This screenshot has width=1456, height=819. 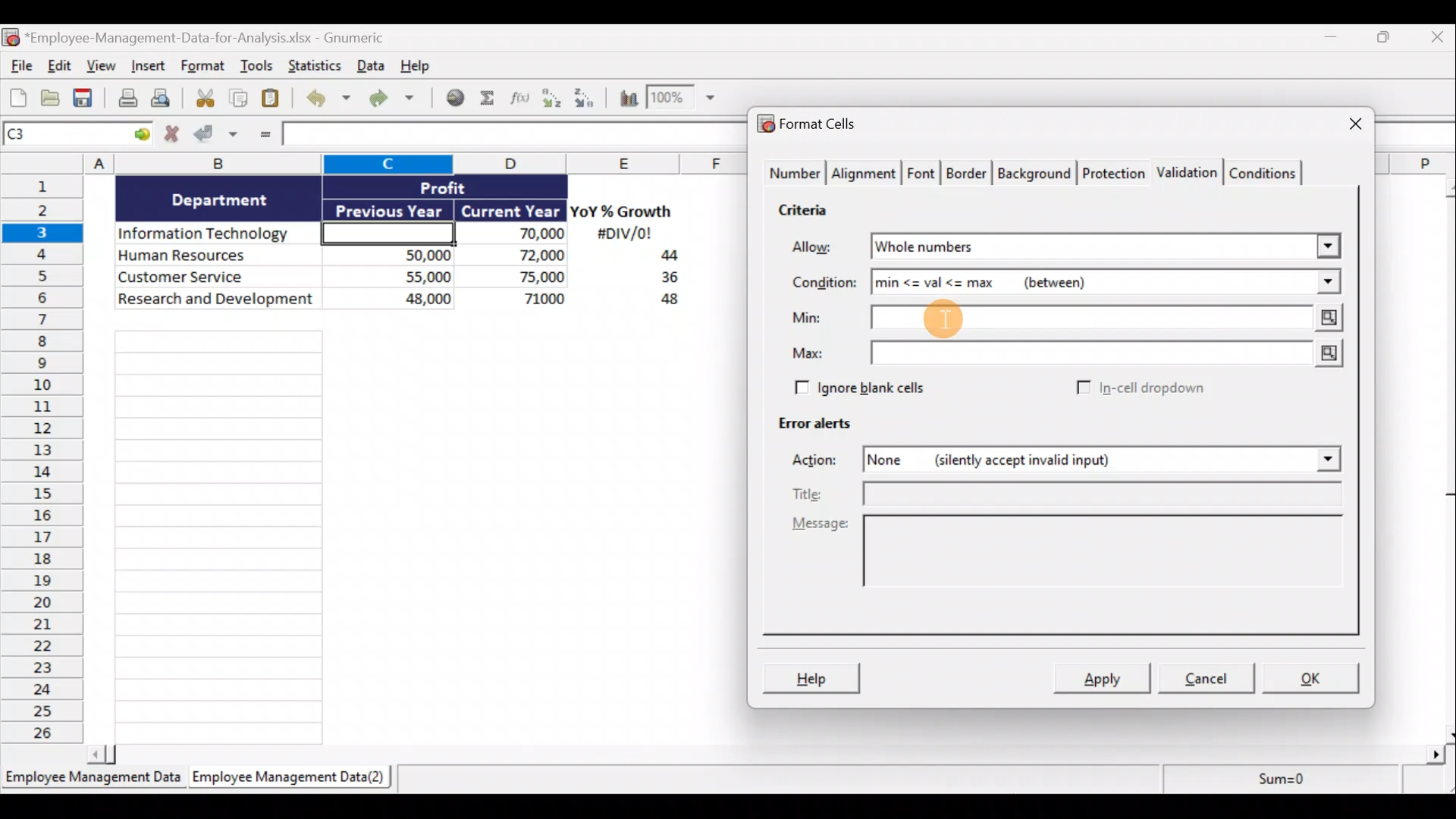 I want to click on Title, so click(x=1072, y=494).